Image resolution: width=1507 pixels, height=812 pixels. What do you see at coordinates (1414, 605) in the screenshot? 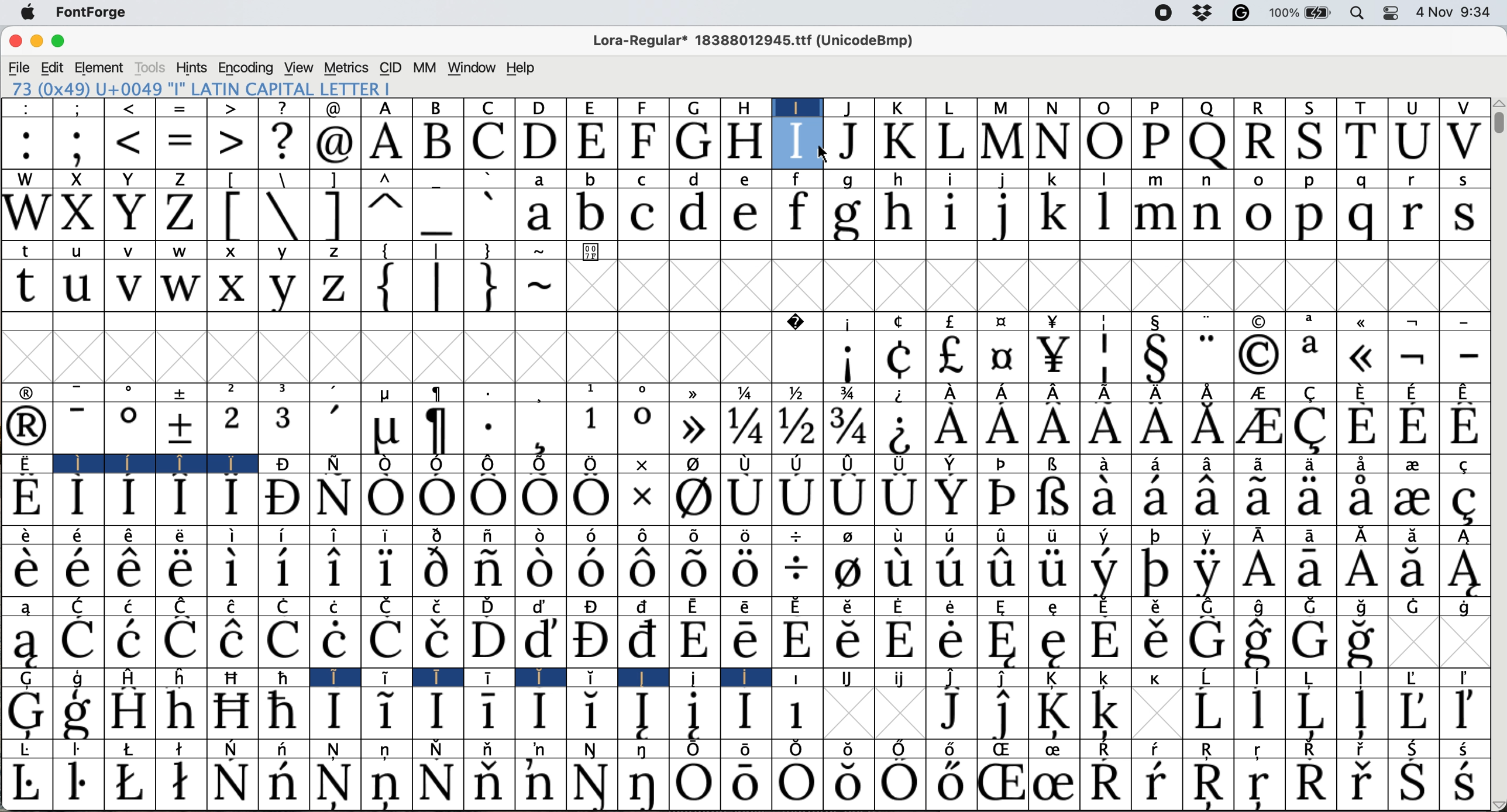
I see `` at bounding box center [1414, 605].